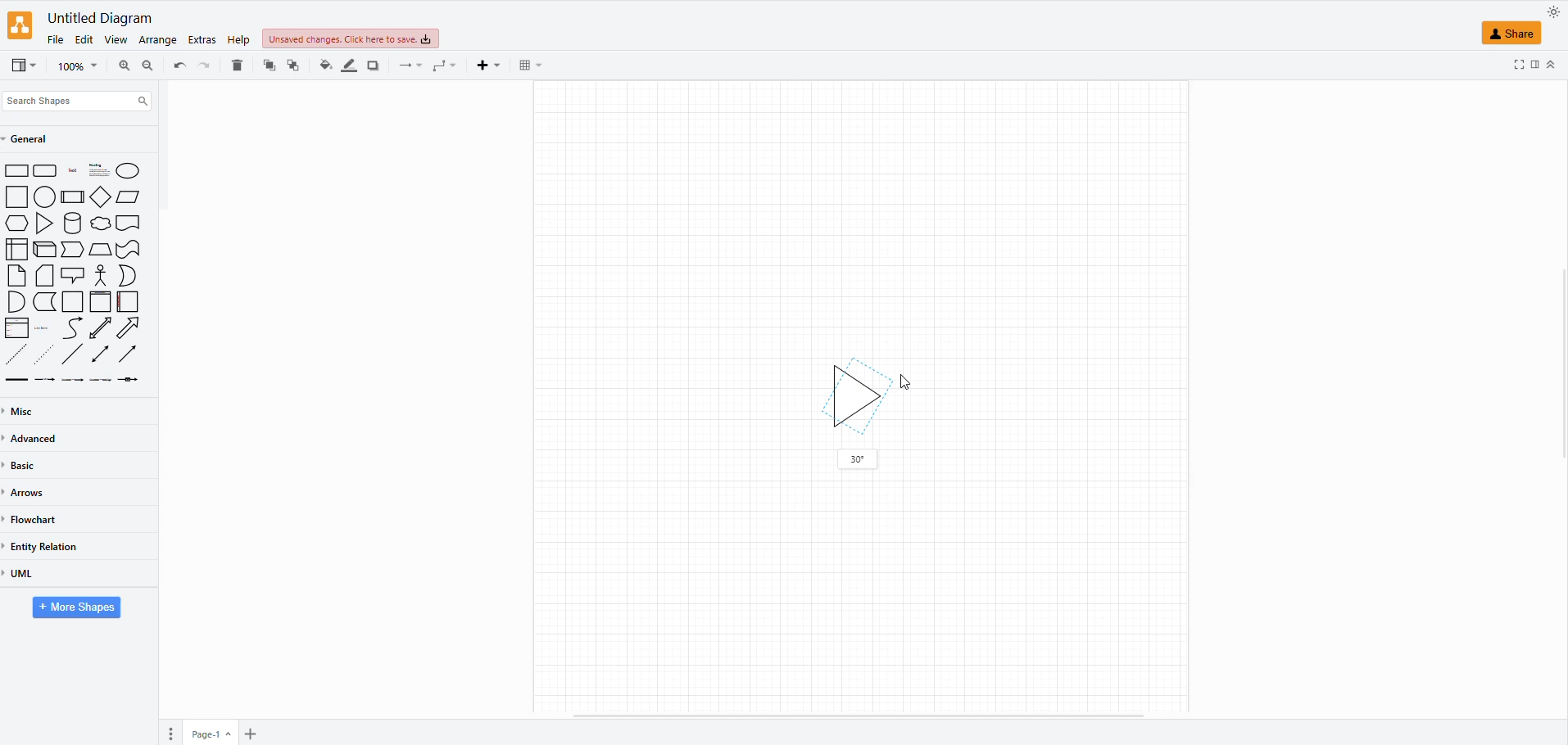  I want to click on fullscreen, so click(1518, 65).